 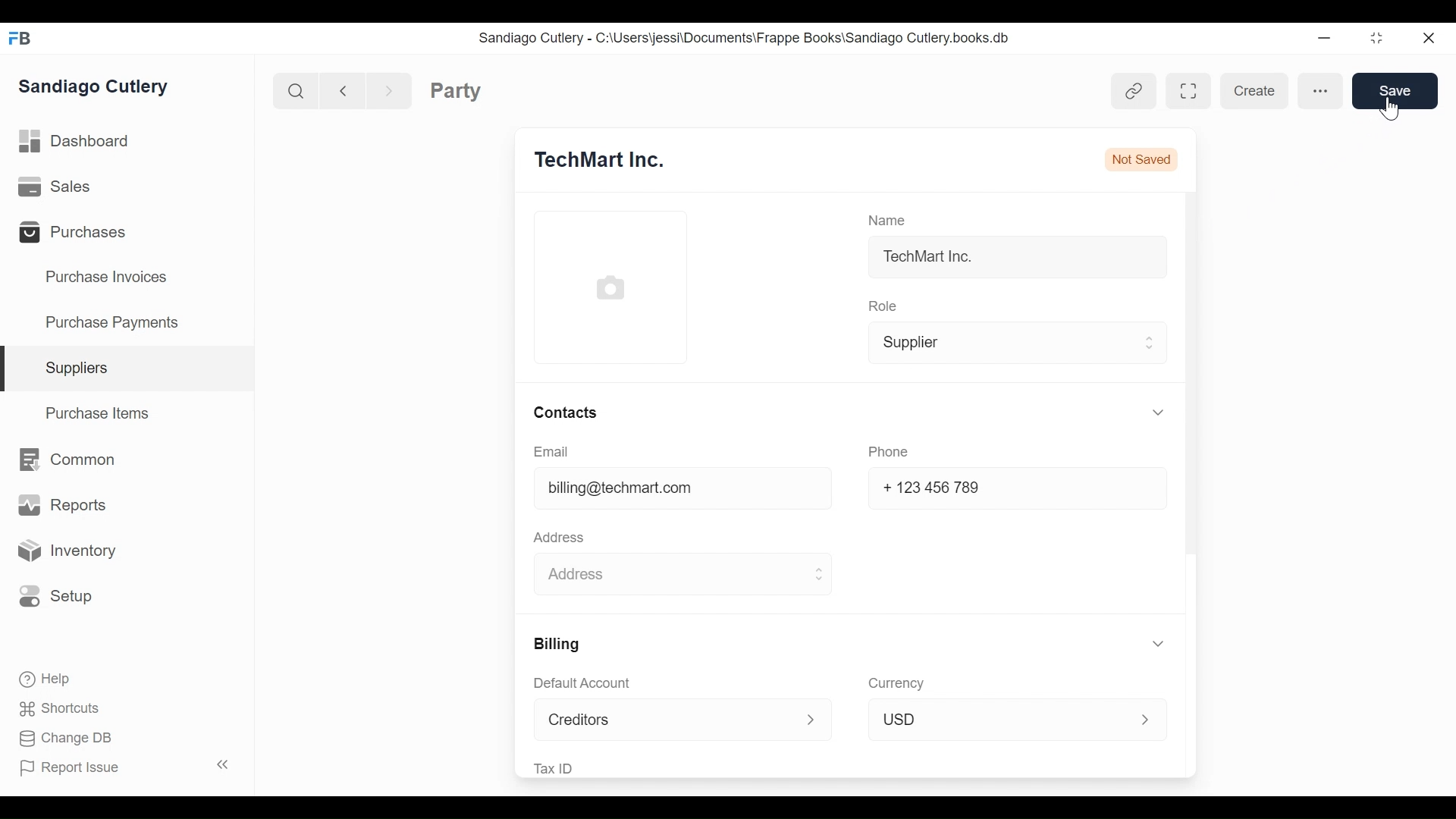 What do you see at coordinates (1141, 154) in the screenshot?
I see `Not Saved` at bounding box center [1141, 154].